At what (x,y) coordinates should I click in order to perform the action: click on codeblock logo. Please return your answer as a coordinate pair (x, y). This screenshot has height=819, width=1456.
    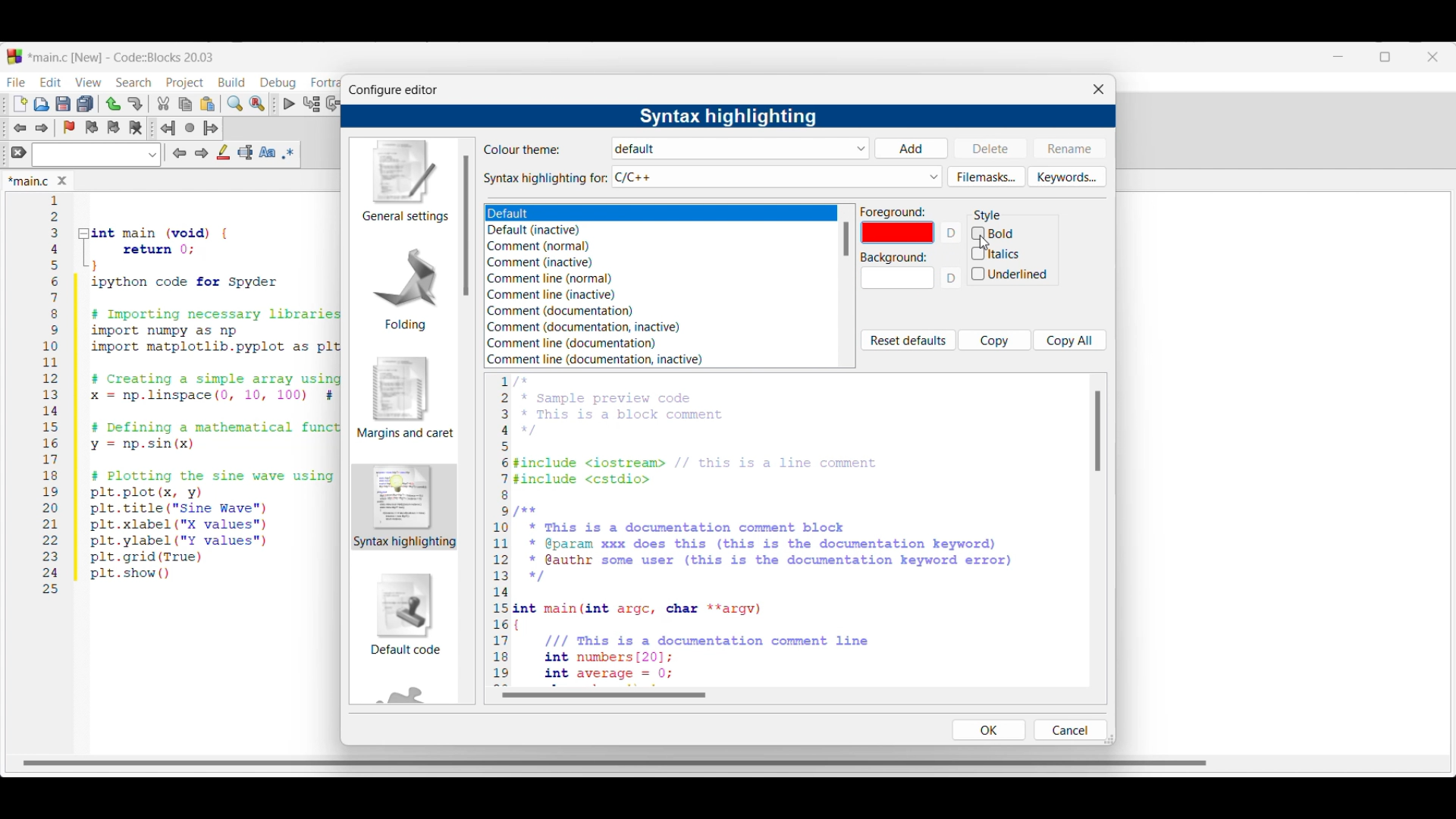
    Looking at the image, I should click on (14, 57).